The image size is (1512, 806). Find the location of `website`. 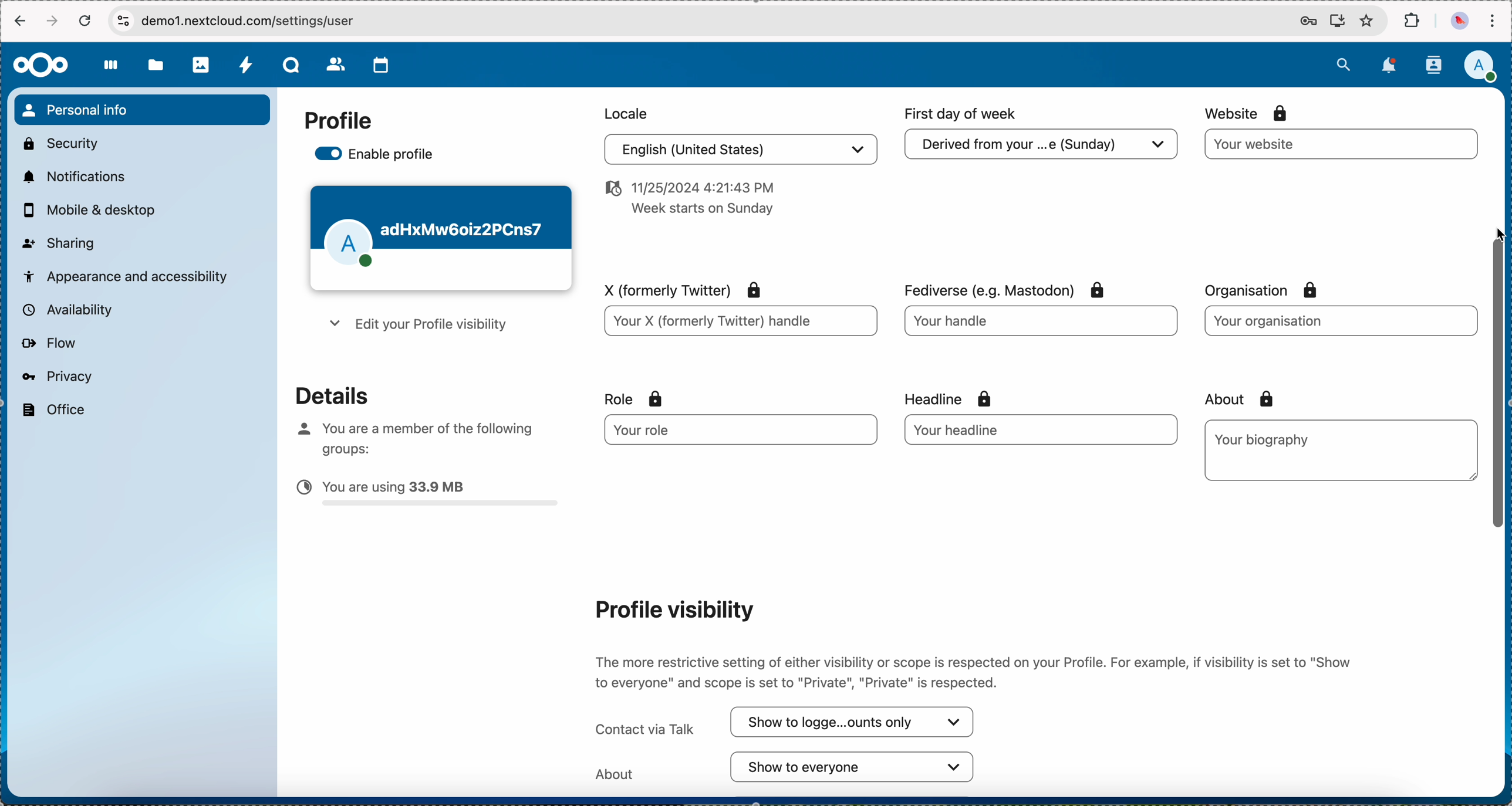

website is located at coordinates (1248, 113).